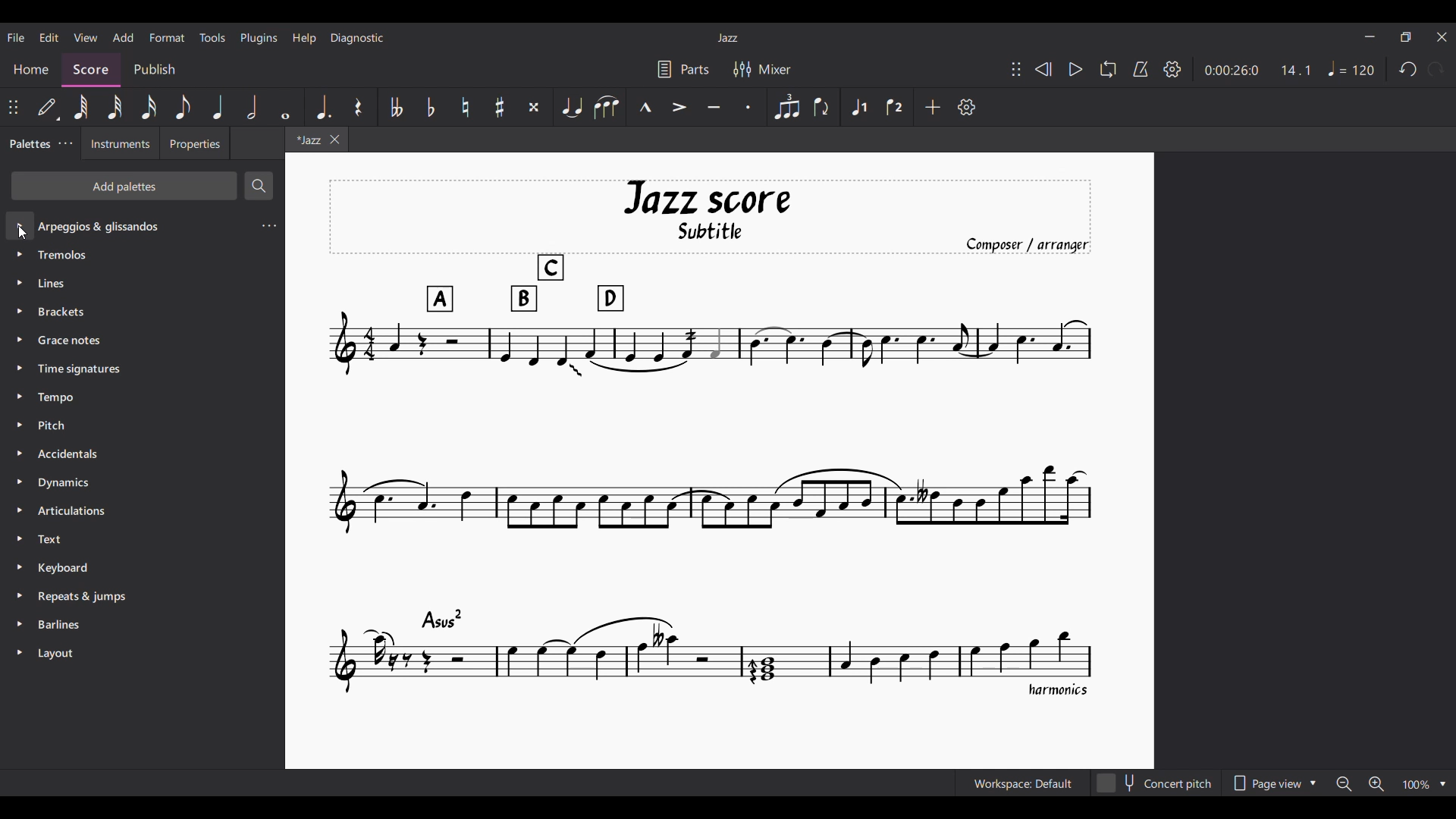  I want to click on Whole note, so click(286, 107).